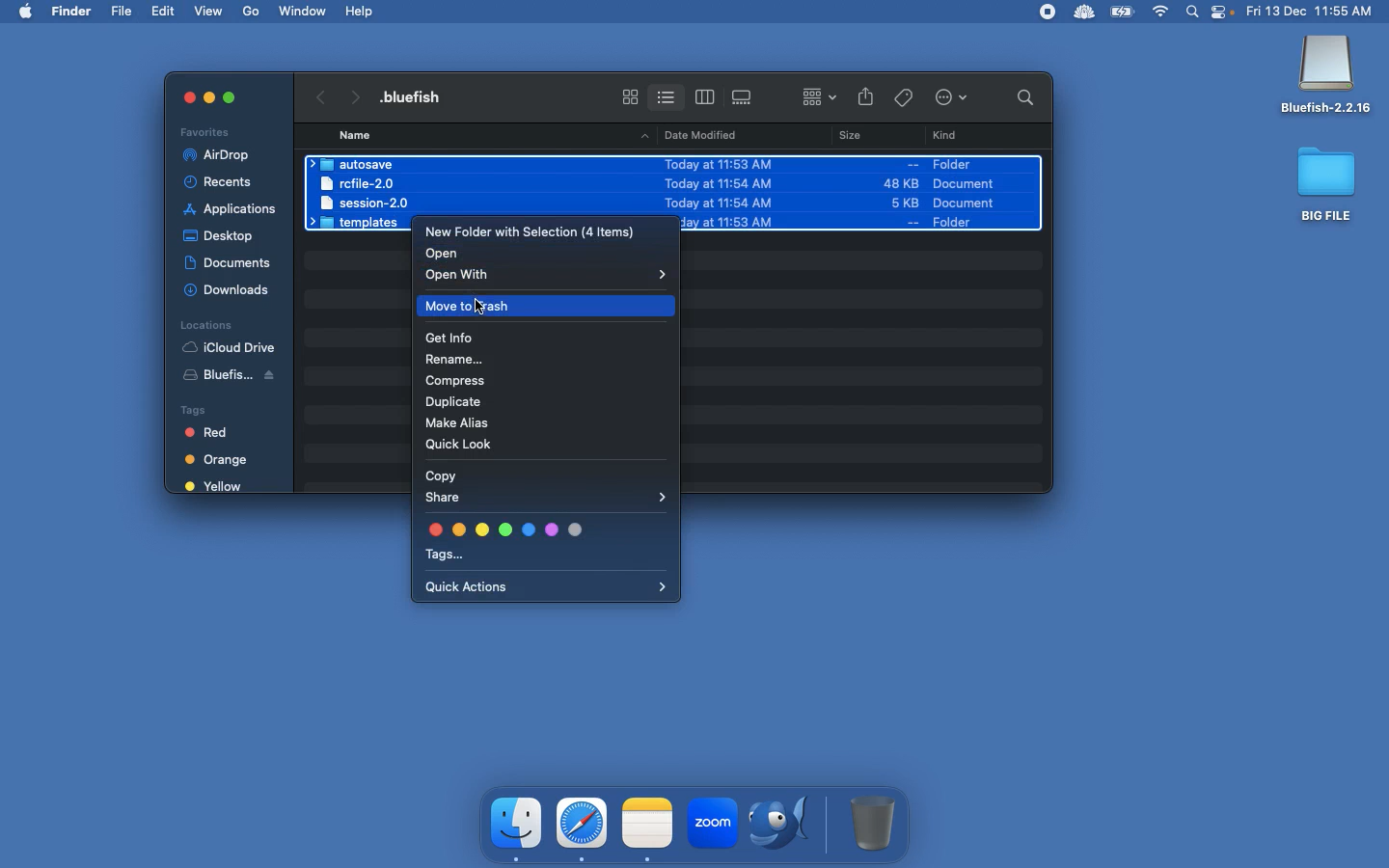  I want to click on Edit, so click(165, 11).